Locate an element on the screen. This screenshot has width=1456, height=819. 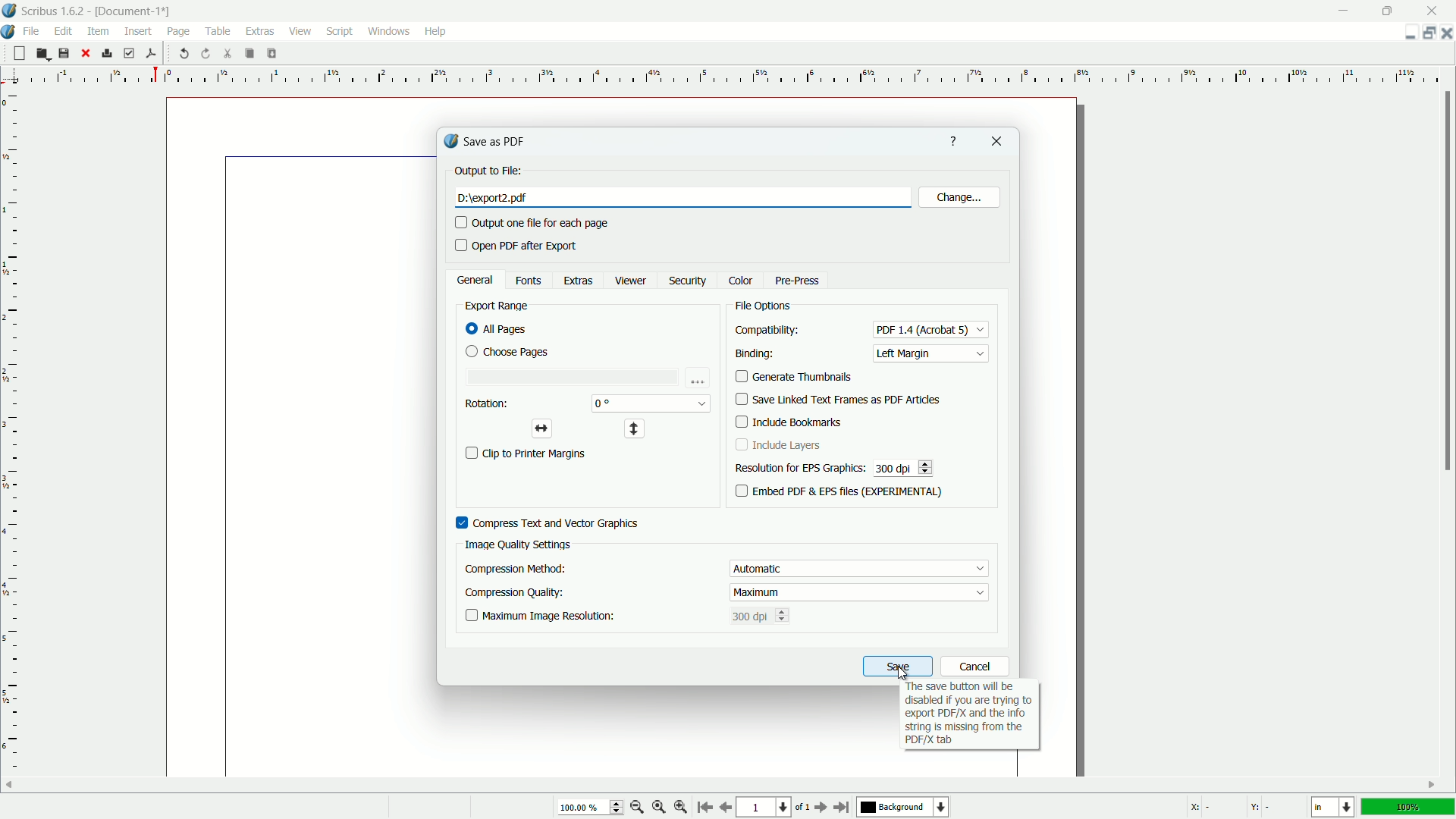
compress text and vector graphics is located at coordinates (547, 522).